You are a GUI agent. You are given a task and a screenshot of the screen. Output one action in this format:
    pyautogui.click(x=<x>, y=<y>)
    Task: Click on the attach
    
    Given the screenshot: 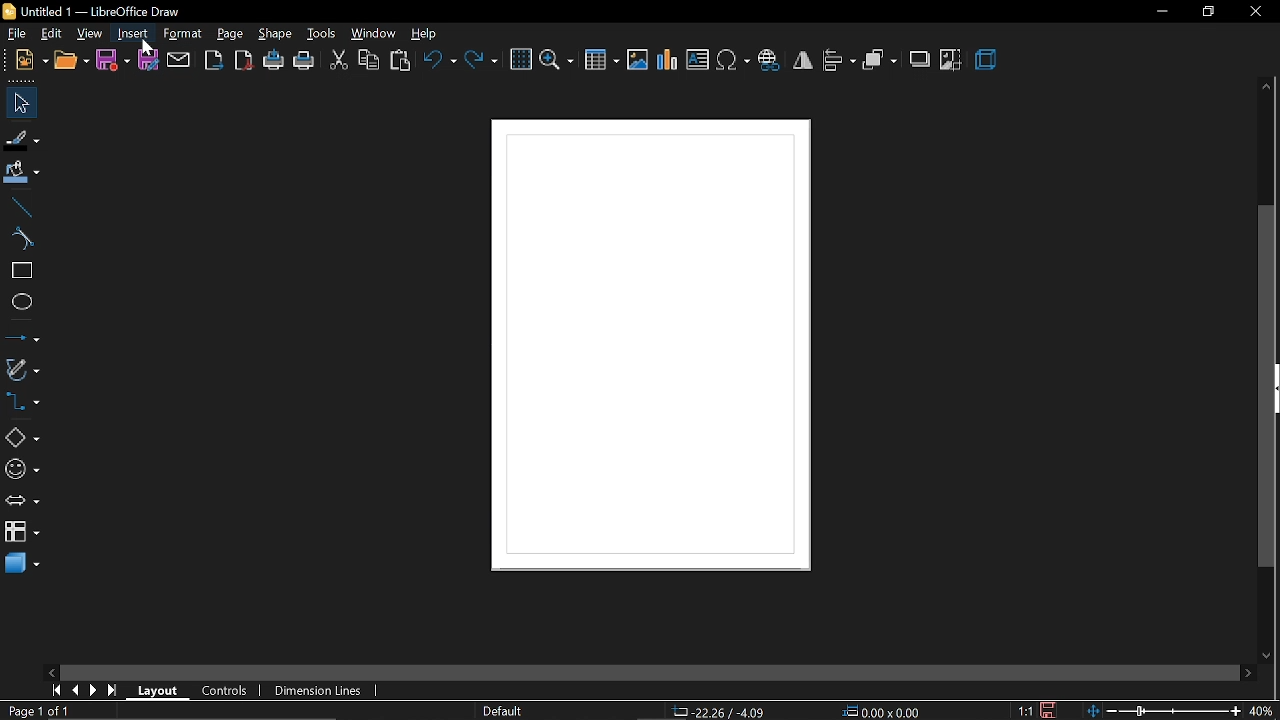 What is the action you would take?
    pyautogui.click(x=179, y=62)
    